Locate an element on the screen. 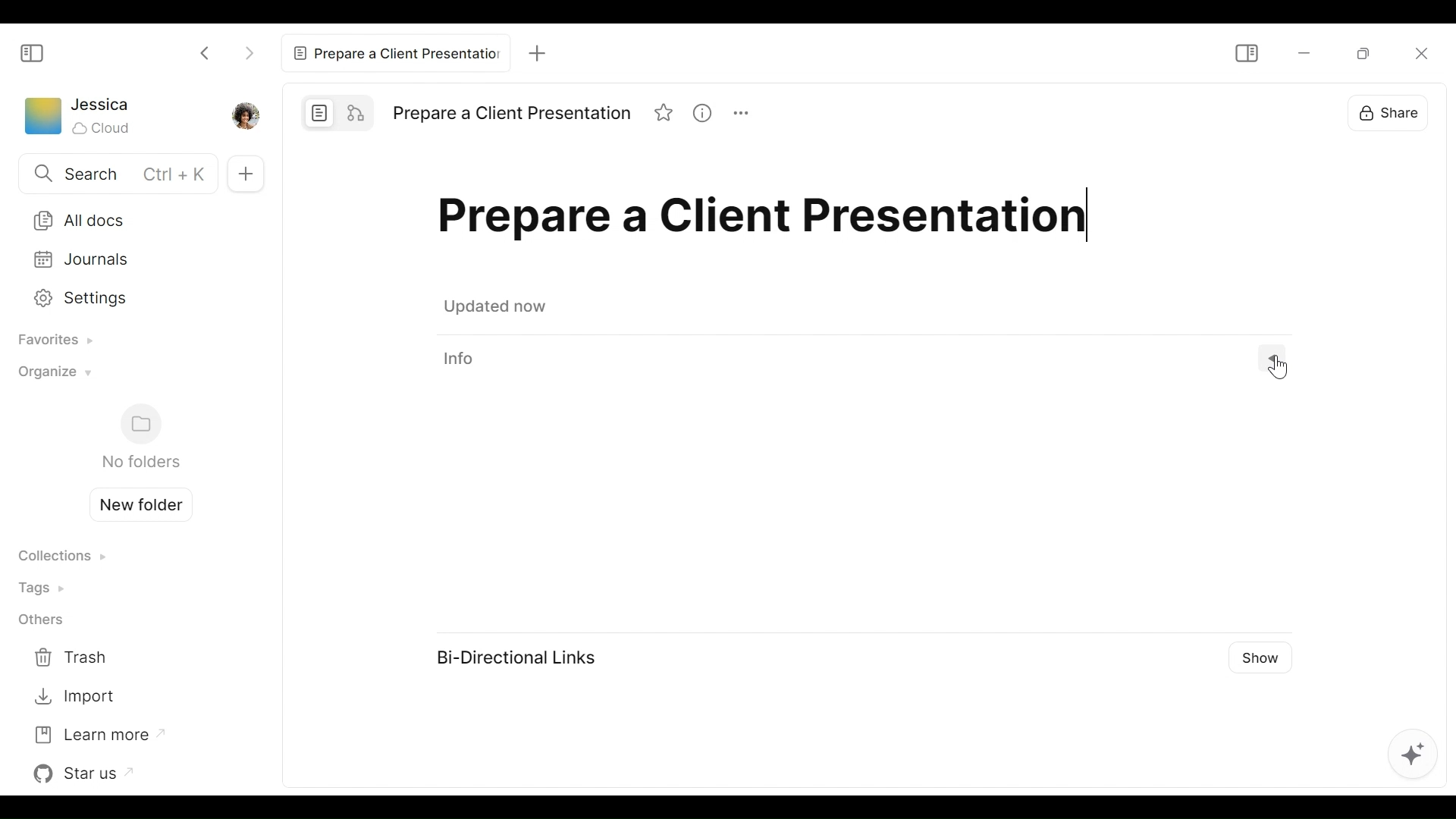 The image size is (1456, 819). Page mode is located at coordinates (320, 112).